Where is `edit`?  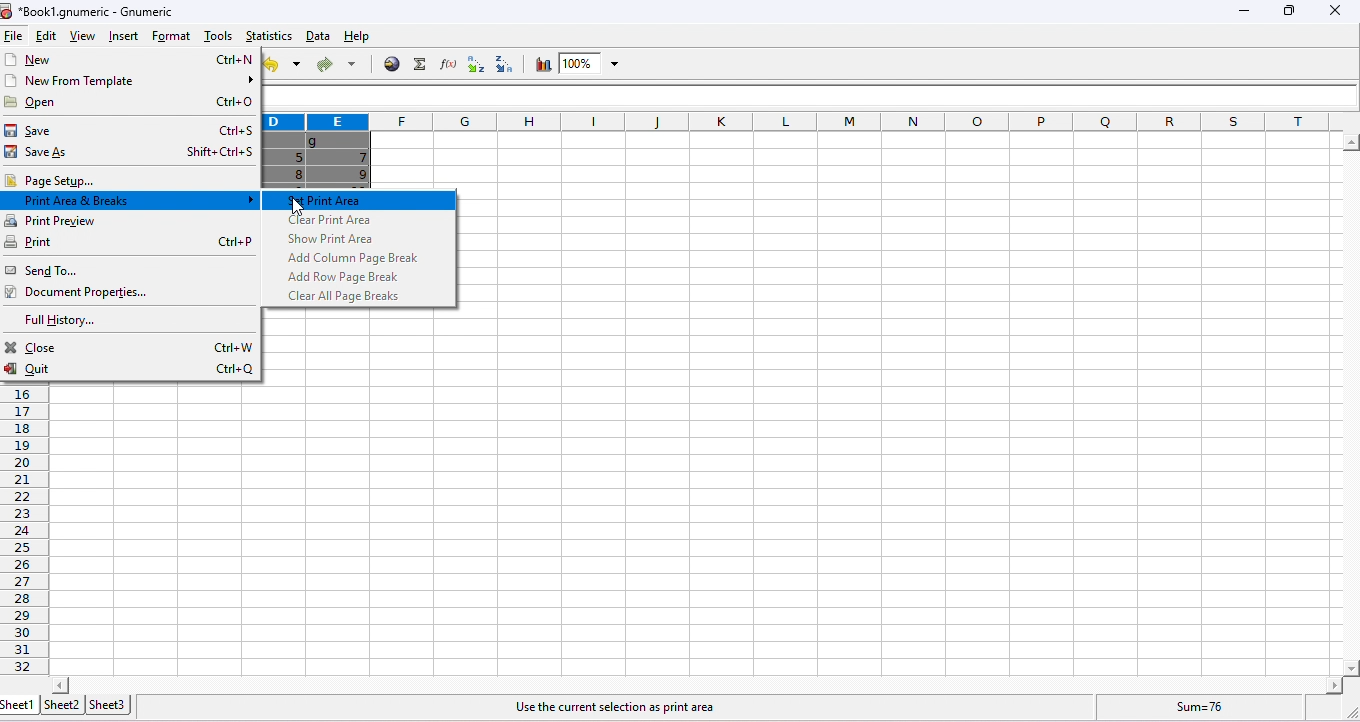
edit is located at coordinates (43, 37).